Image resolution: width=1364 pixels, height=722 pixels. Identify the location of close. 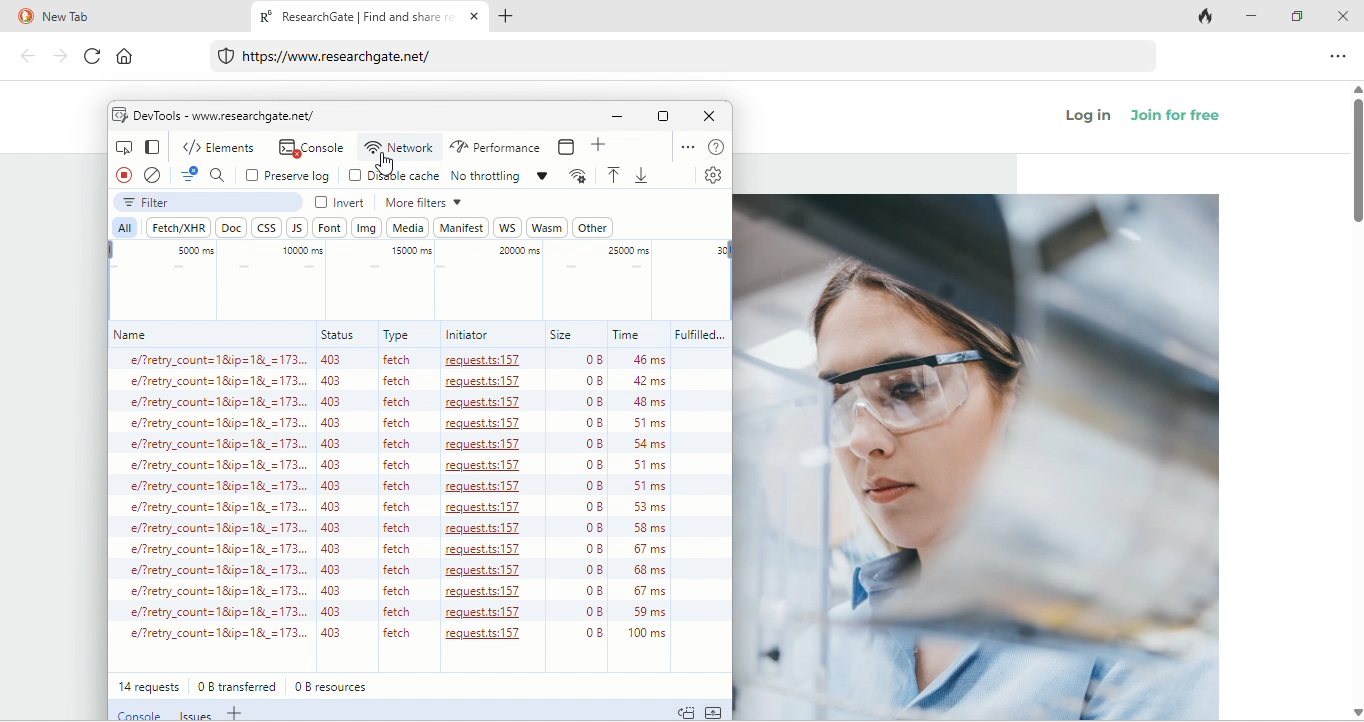
(1343, 15).